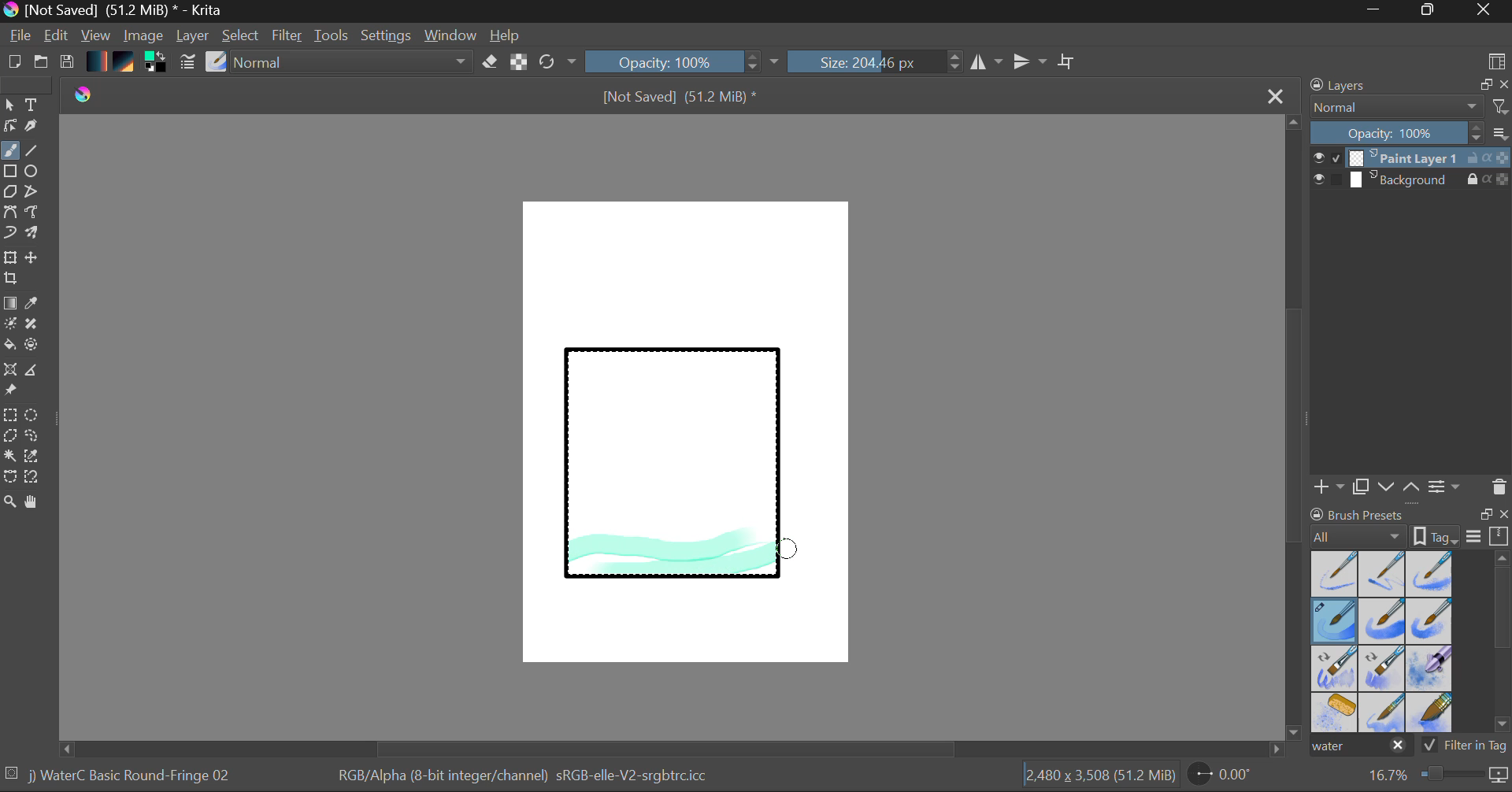 This screenshot has height=792, width=1512. What do you see at coordinates (37, 505) in the screenshot?
I see `Pan` at bounding box center [37, 505].